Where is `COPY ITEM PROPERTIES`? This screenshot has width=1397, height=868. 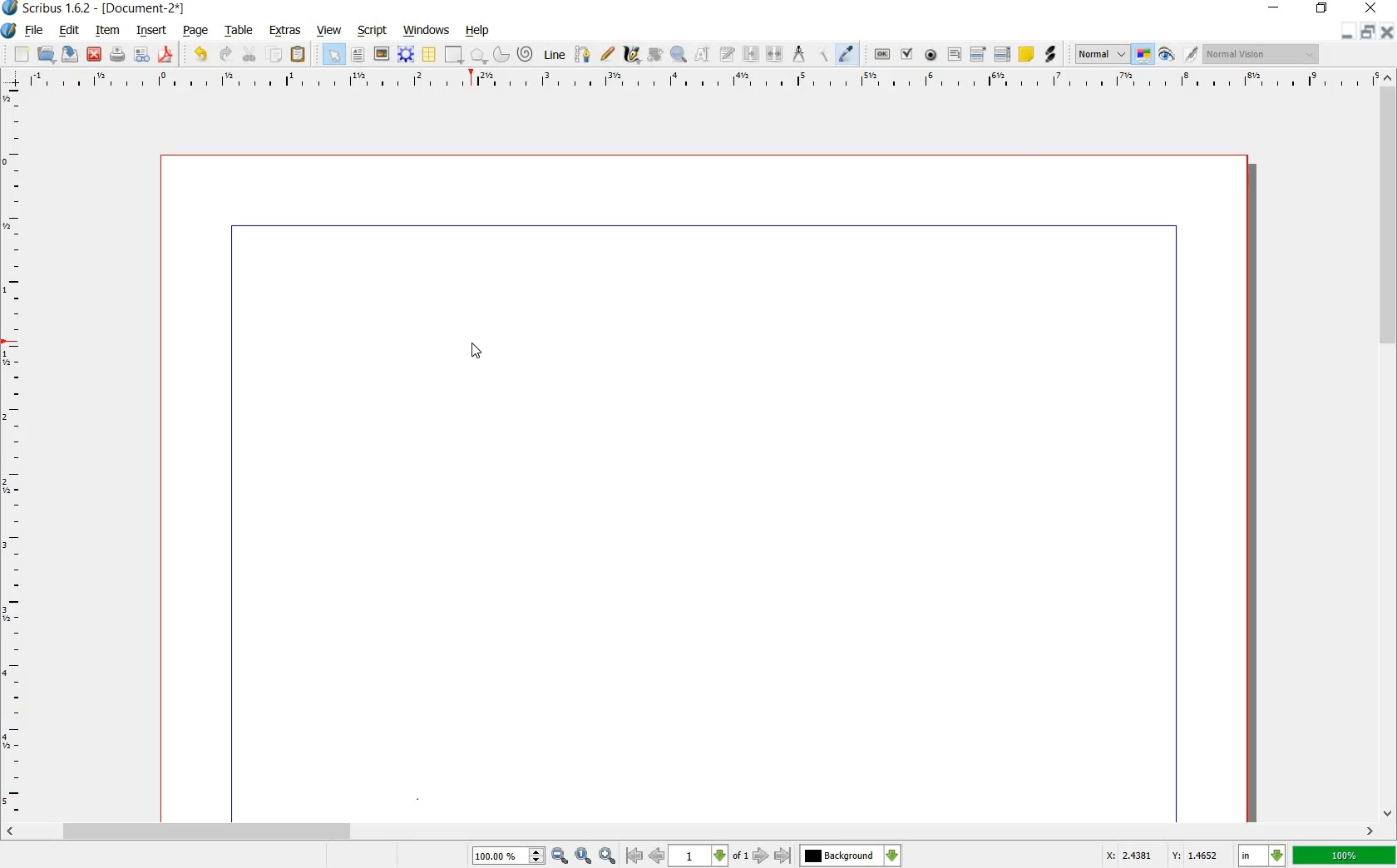
COPY ITEM PROPERTIES is located at coordinates (822, 55).